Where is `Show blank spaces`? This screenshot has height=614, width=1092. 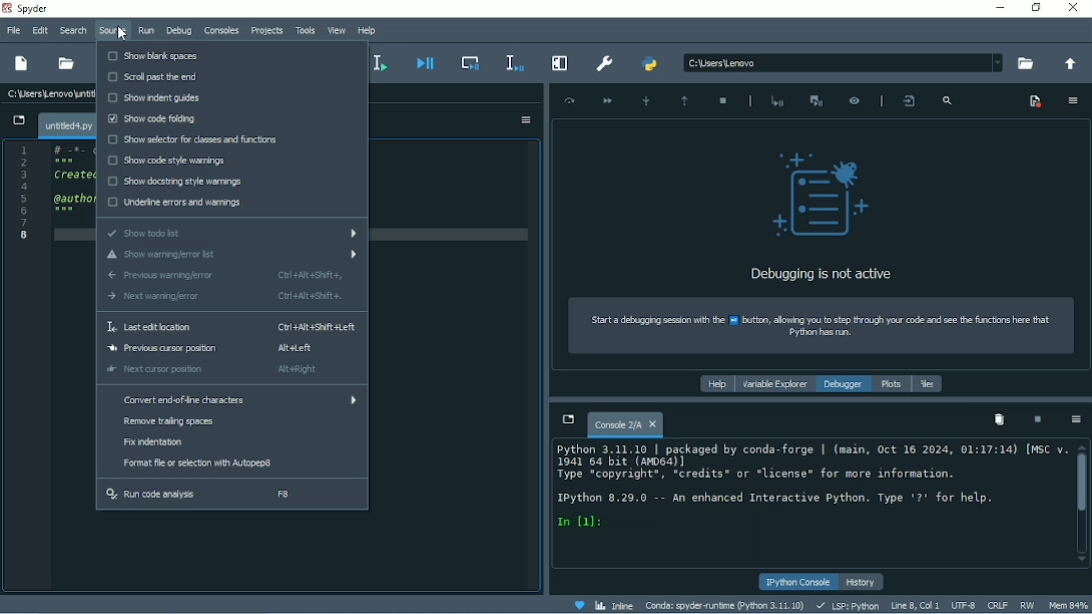
Show blank spaces is located at coordinates (231, 56).